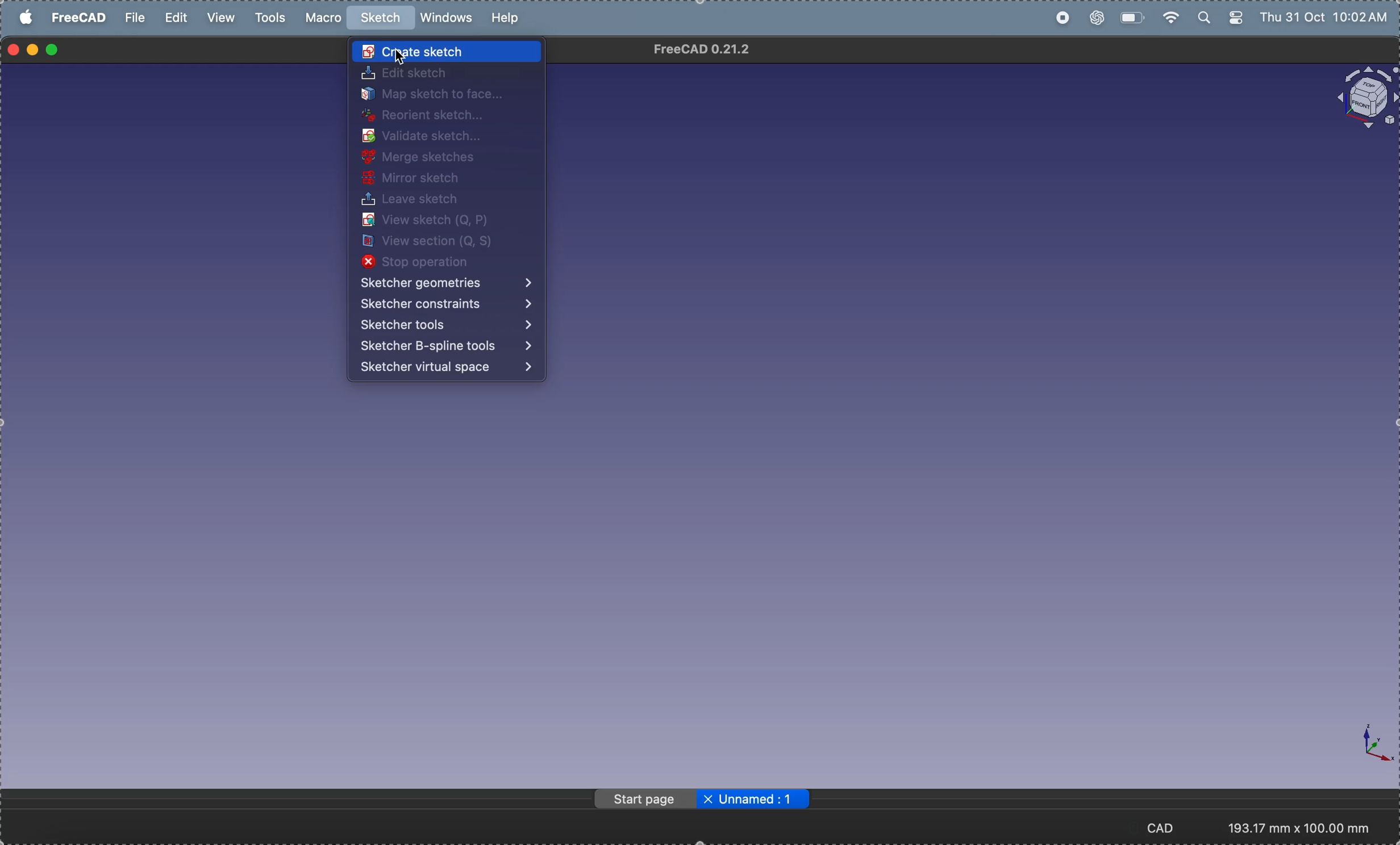  I want to click on validate sketch, so click(438, 136).